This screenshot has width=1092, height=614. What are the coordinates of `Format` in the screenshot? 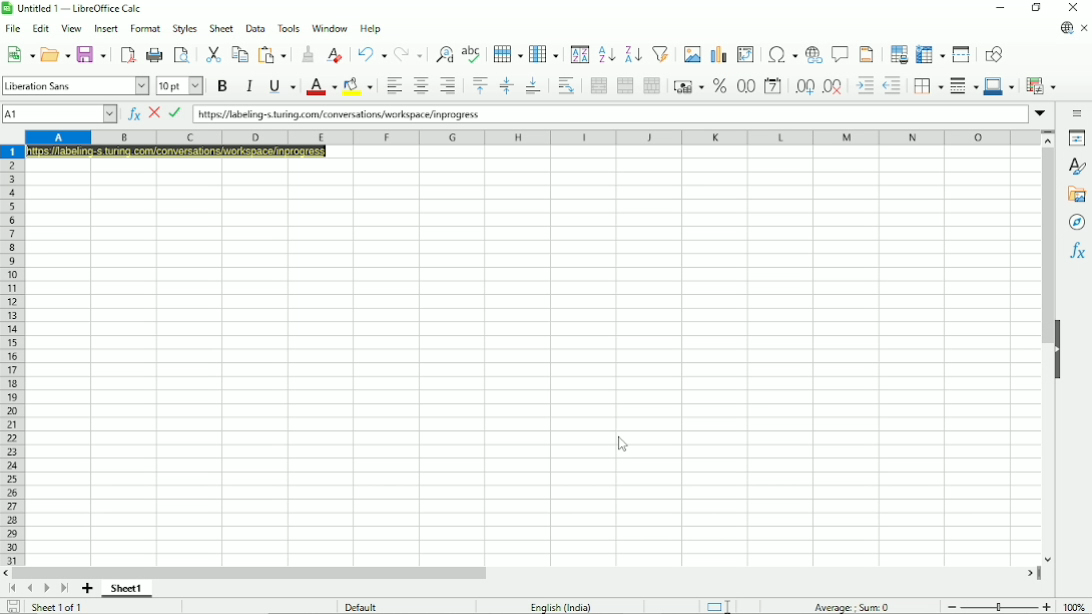 It's located at (145, 29).